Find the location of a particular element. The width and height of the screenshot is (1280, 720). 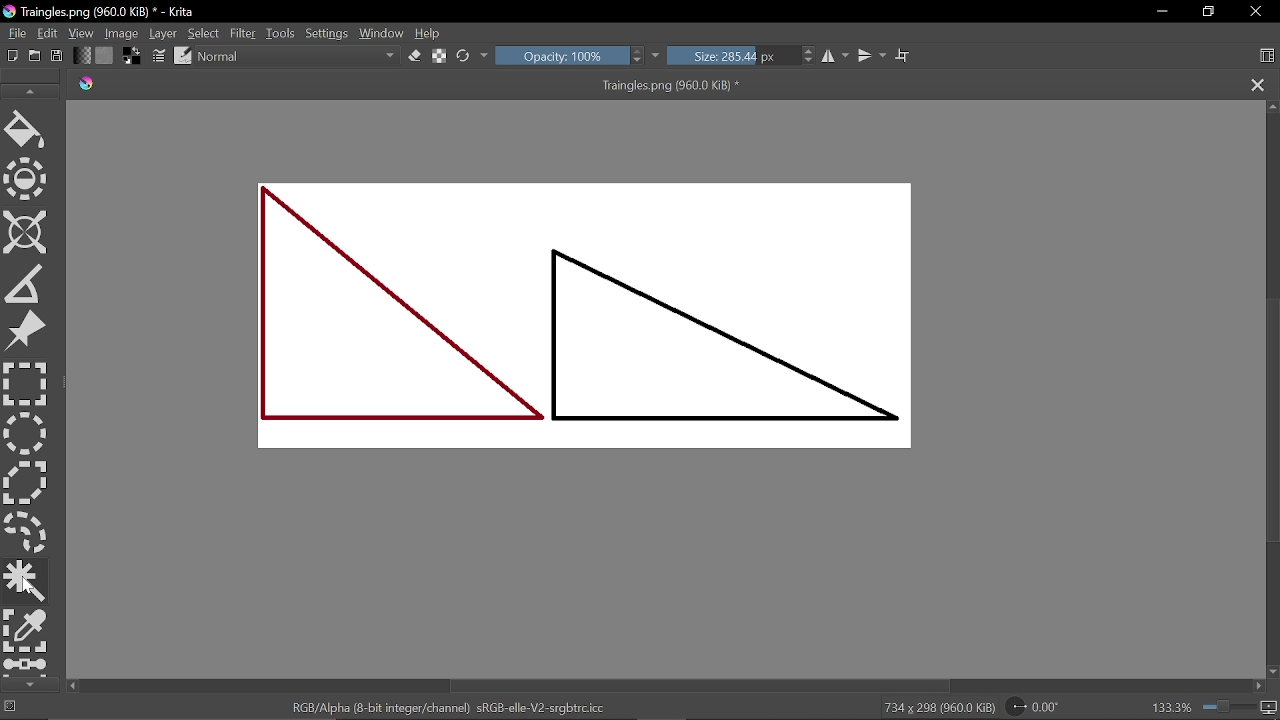

logo is located at coordinates (87, 85).